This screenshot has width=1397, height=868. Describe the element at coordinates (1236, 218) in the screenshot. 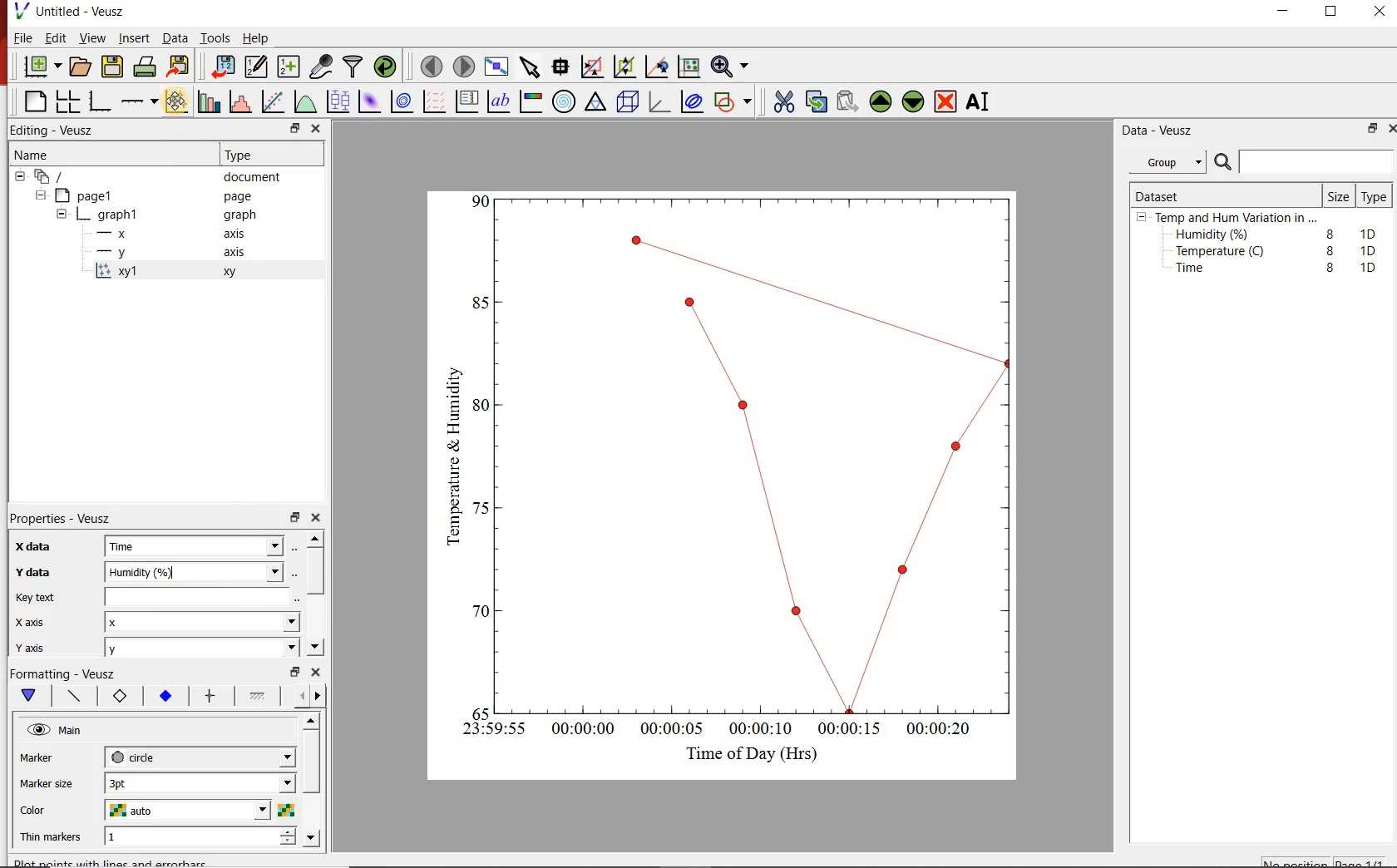

I see `Temp and Hum Variation in ...` at that location.